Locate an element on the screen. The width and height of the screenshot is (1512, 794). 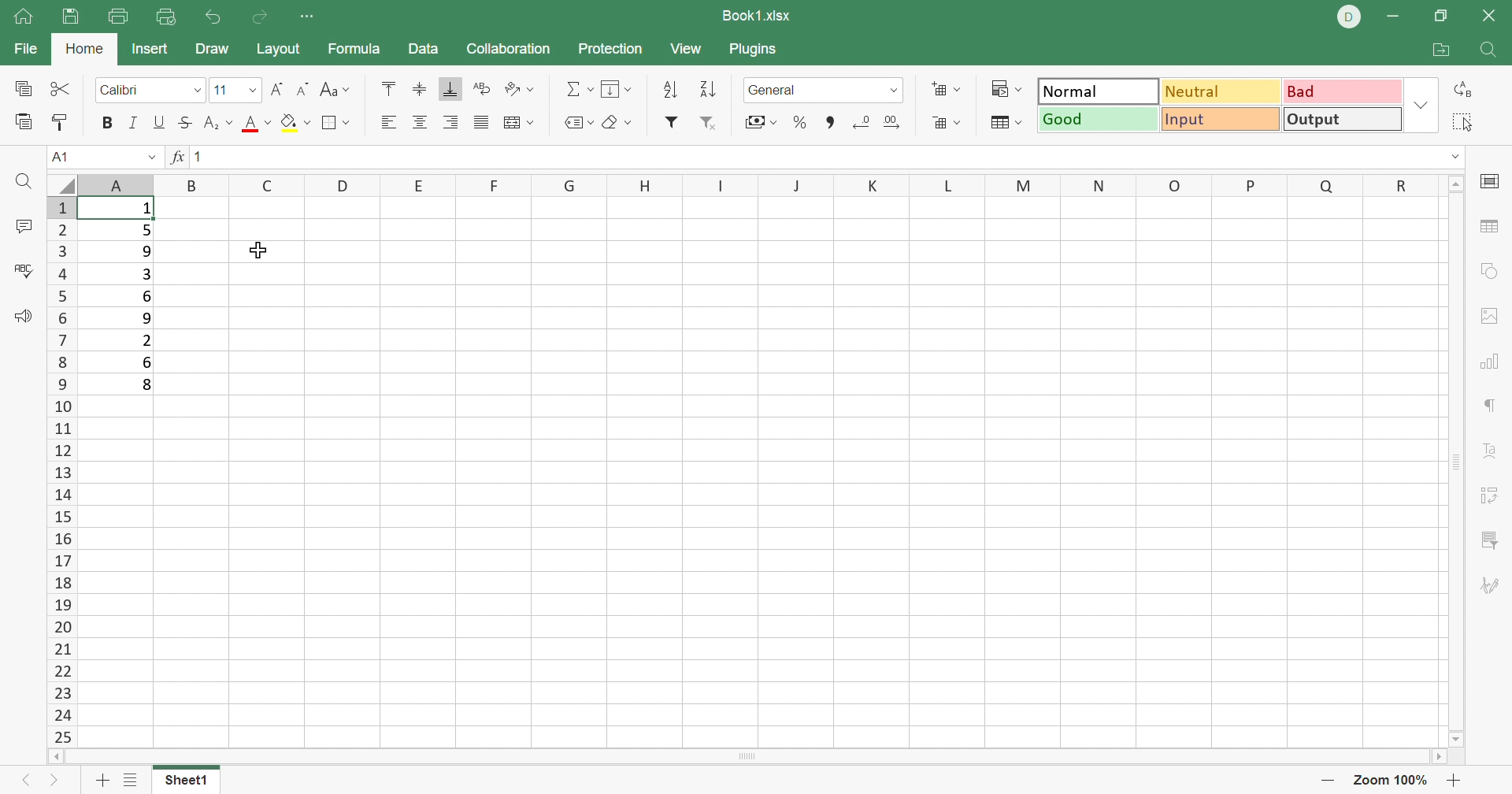
Drop Down is located at coordinates (198, 90).